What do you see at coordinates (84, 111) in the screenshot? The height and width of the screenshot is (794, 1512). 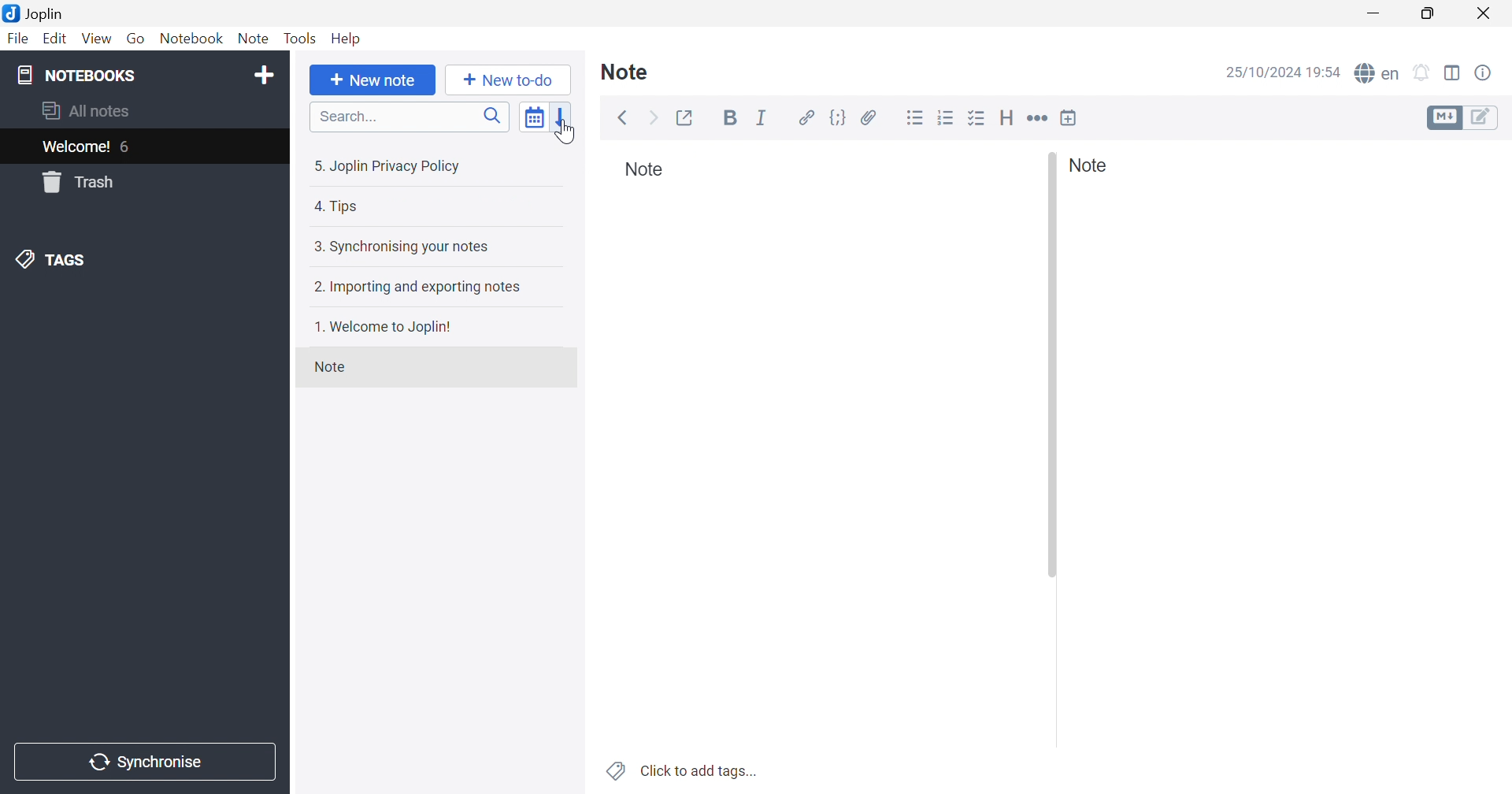 I see `All notes` at bounding box center [84, 111].